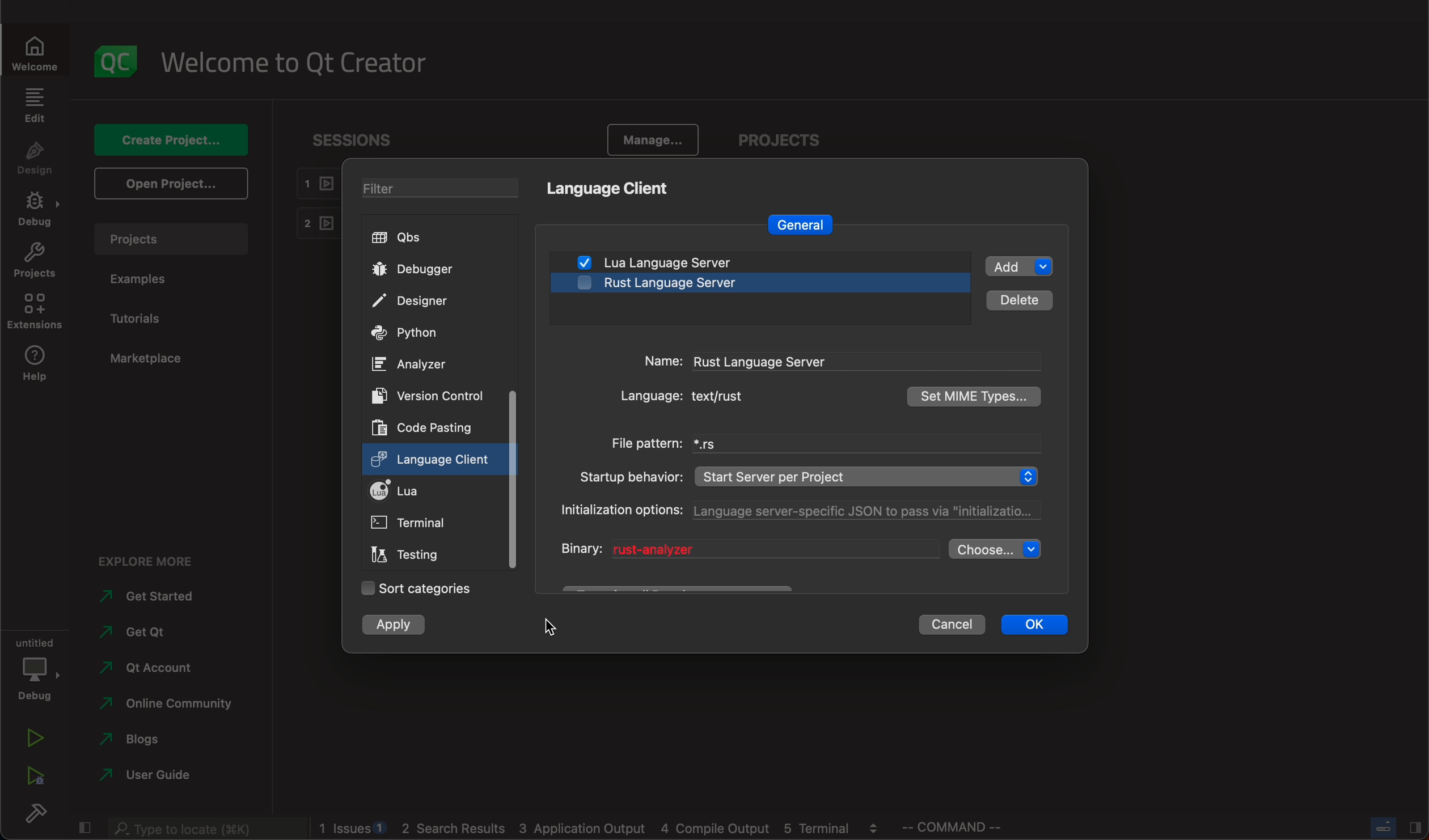 The image size is (1429, 840). What do you see at coordinates (976, 396) in the screenshot?
I see `types` at bounding box center [976, 396].